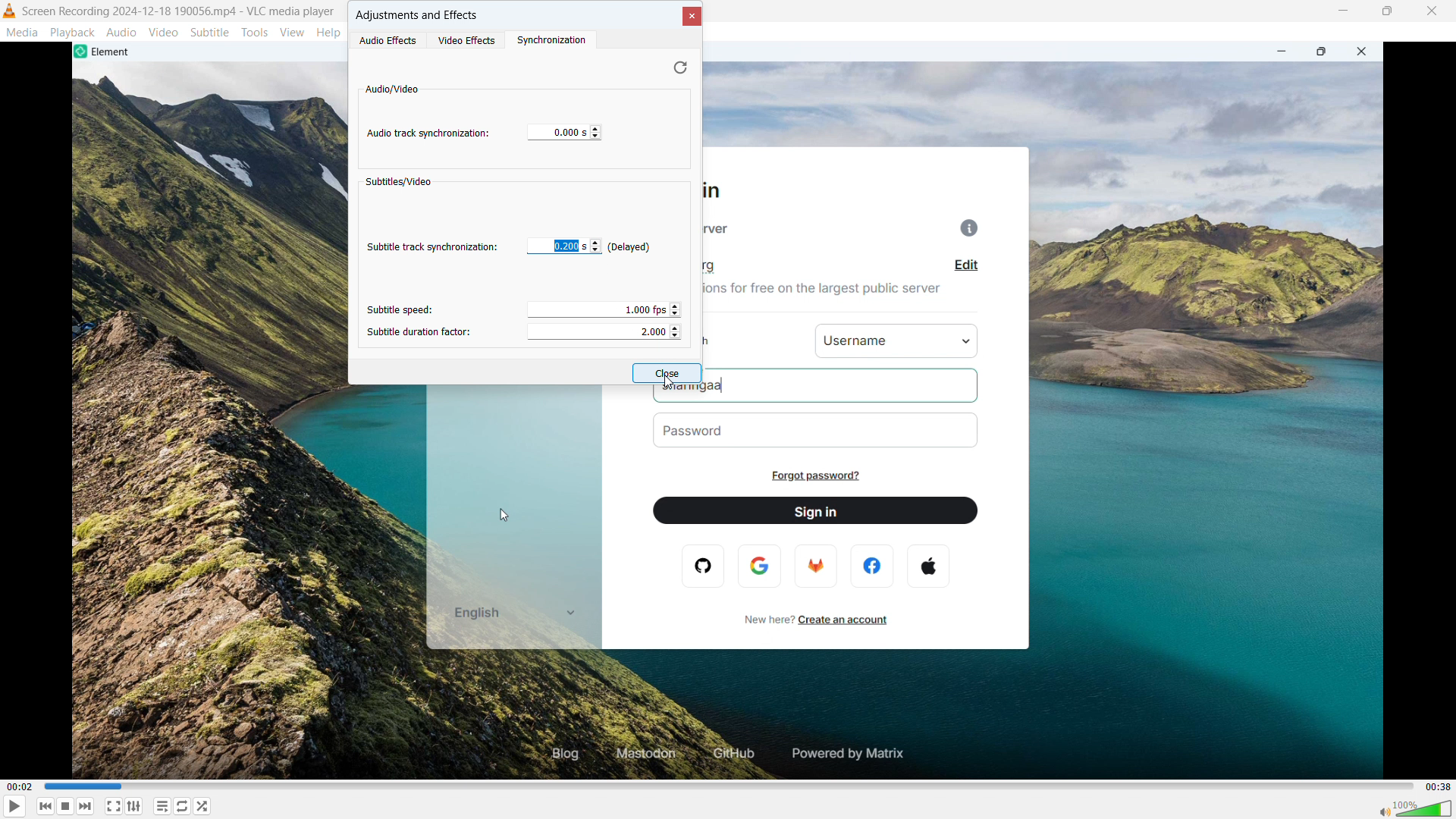  Describe the element at coordinates (817, 510) in the screenshot. I see `sign in` at that location.